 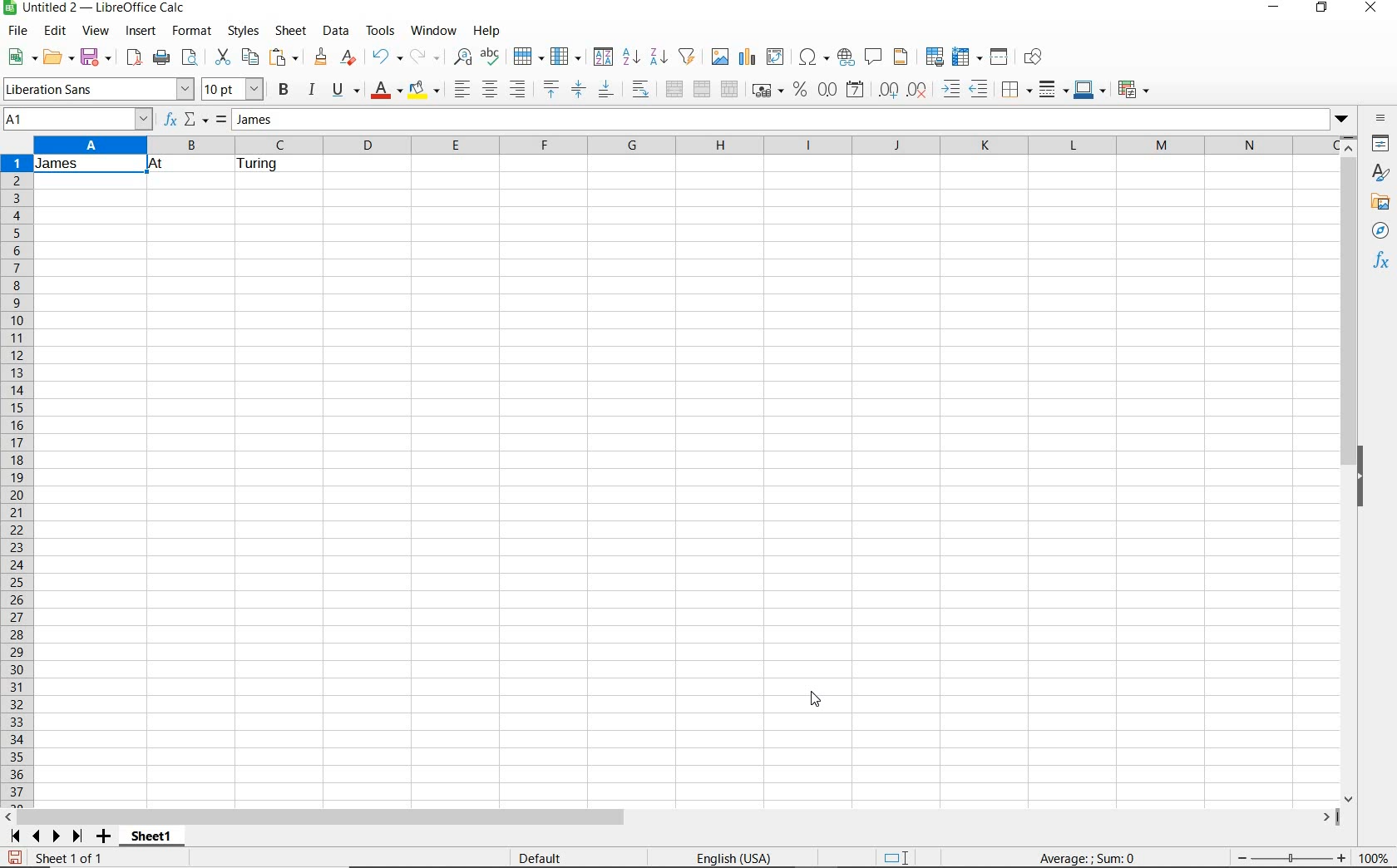 I want to click on align bottom, so click(x=605, y=89).